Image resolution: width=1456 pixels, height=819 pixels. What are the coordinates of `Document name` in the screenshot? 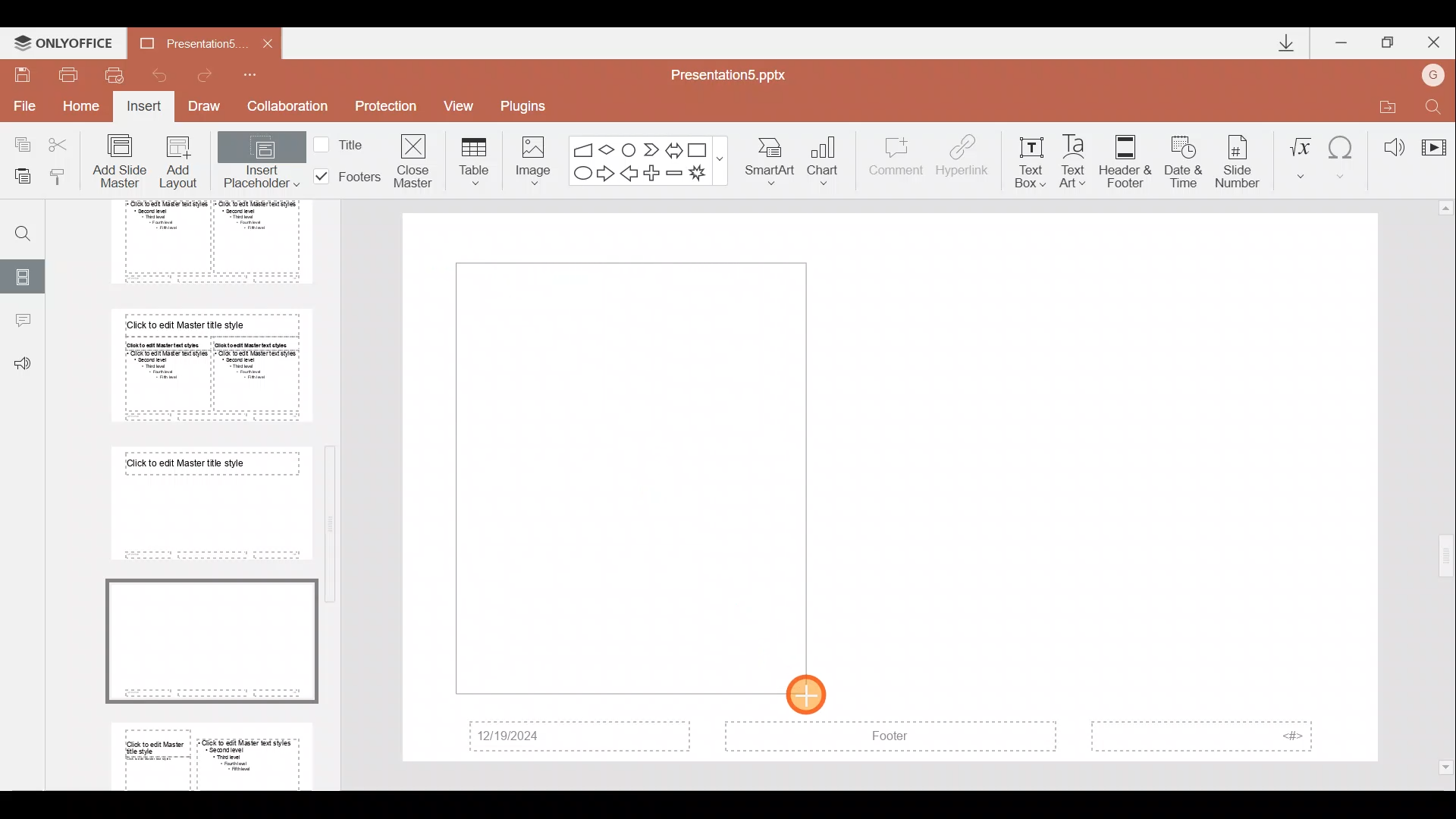 It's located at (181, 42).